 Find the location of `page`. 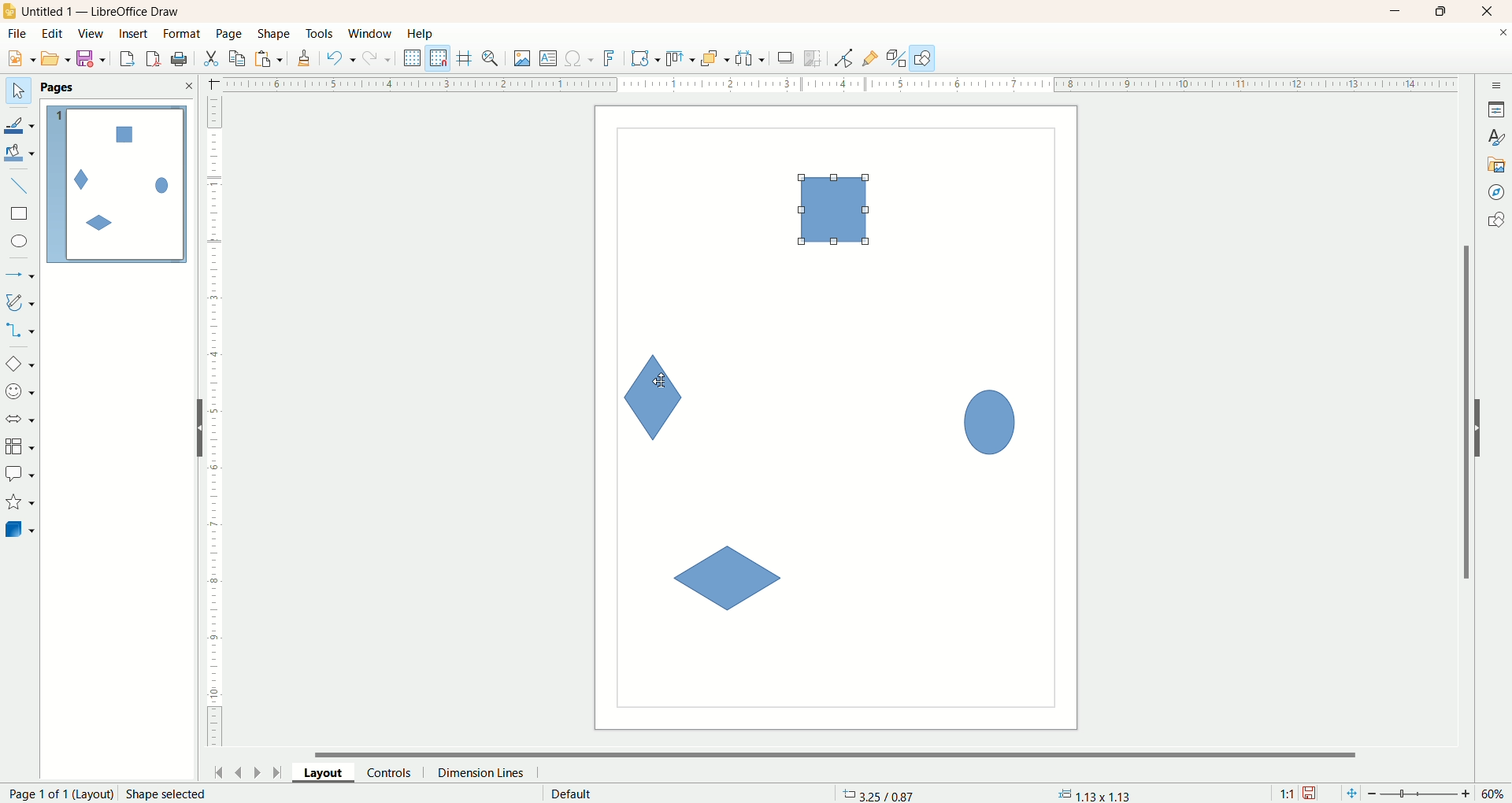

page is located at coordinates (231, 33).